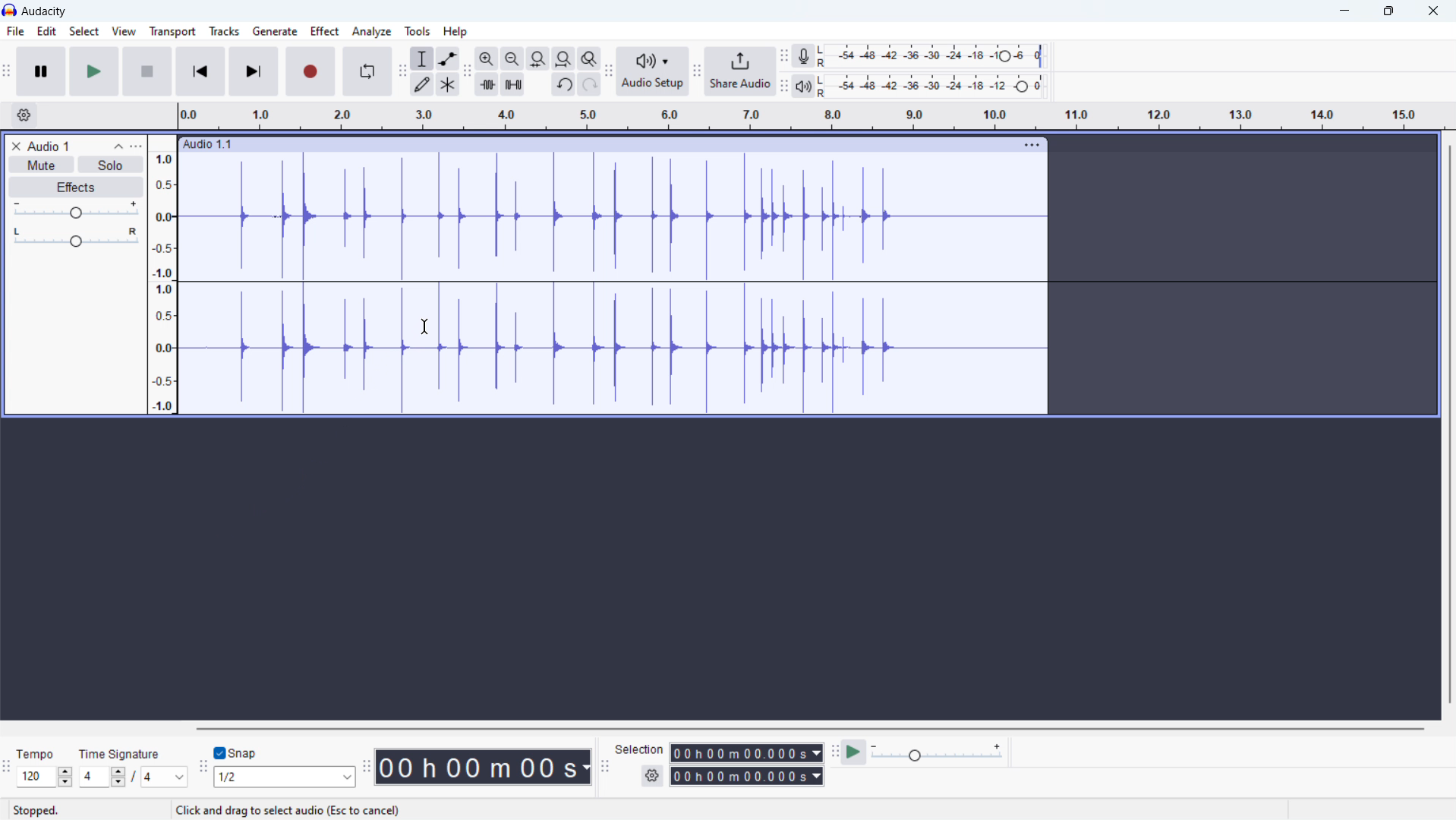  Describe the element at coordinates (325, 31) in the screenshot. I see `effect` at that location.